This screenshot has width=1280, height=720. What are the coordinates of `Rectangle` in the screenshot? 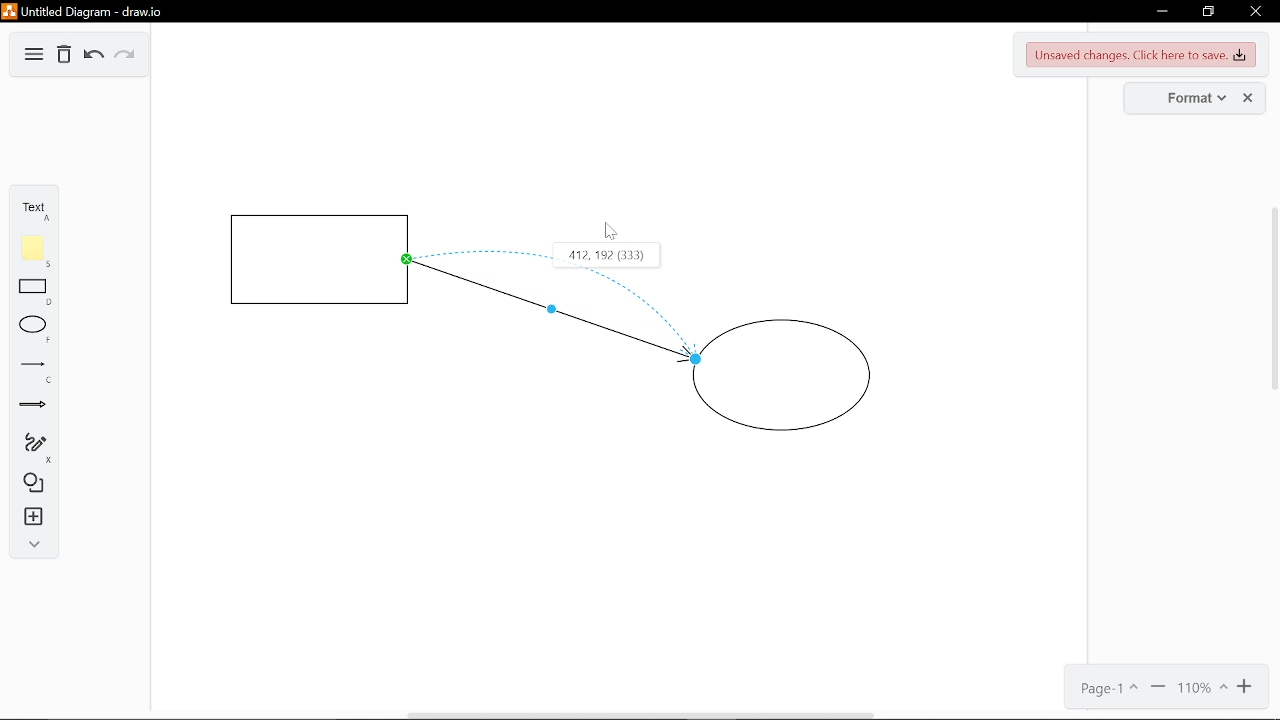 It's located at (32, 292).